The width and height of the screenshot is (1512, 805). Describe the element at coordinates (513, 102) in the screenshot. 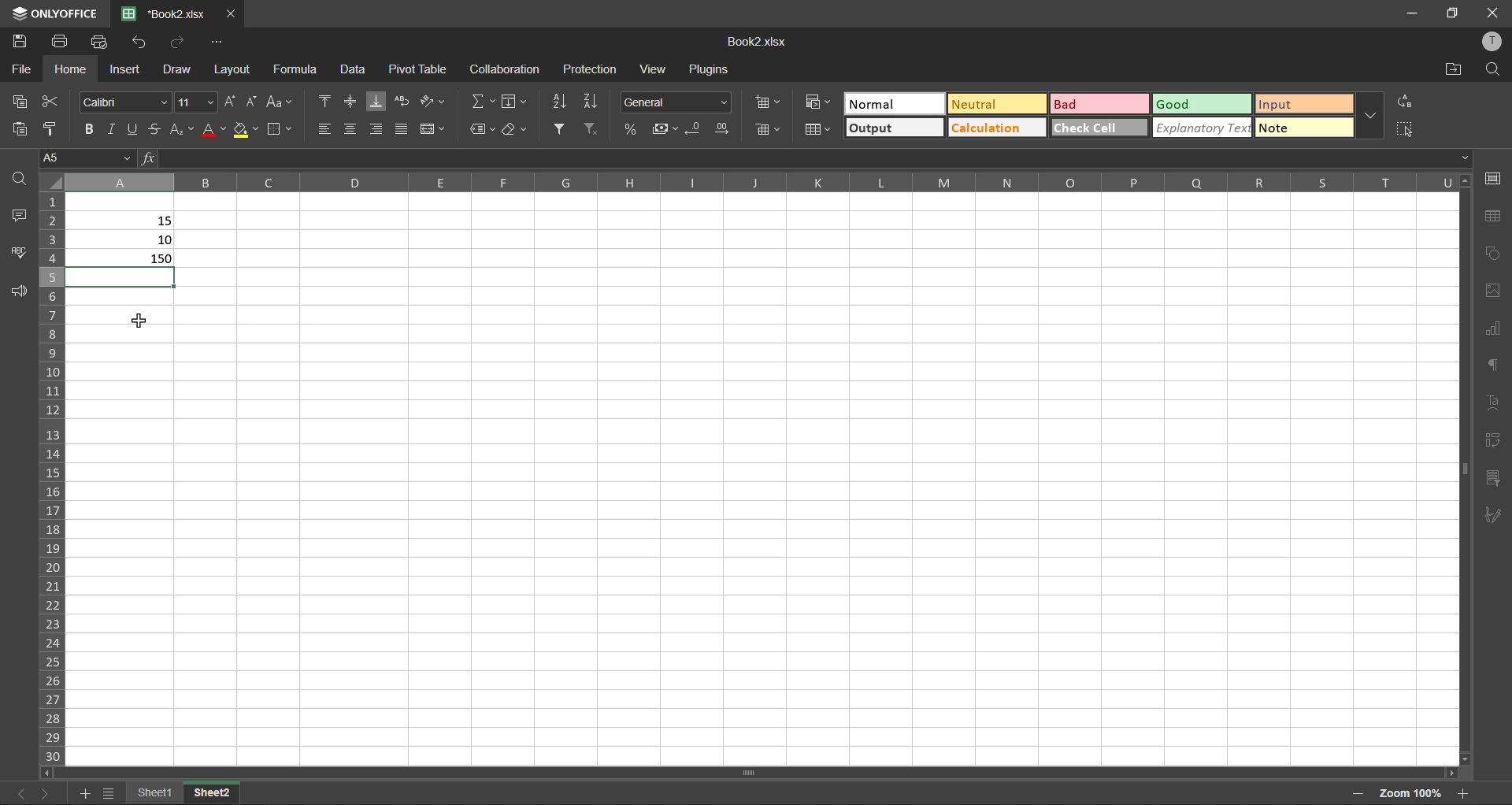

I see `fields` at that location.